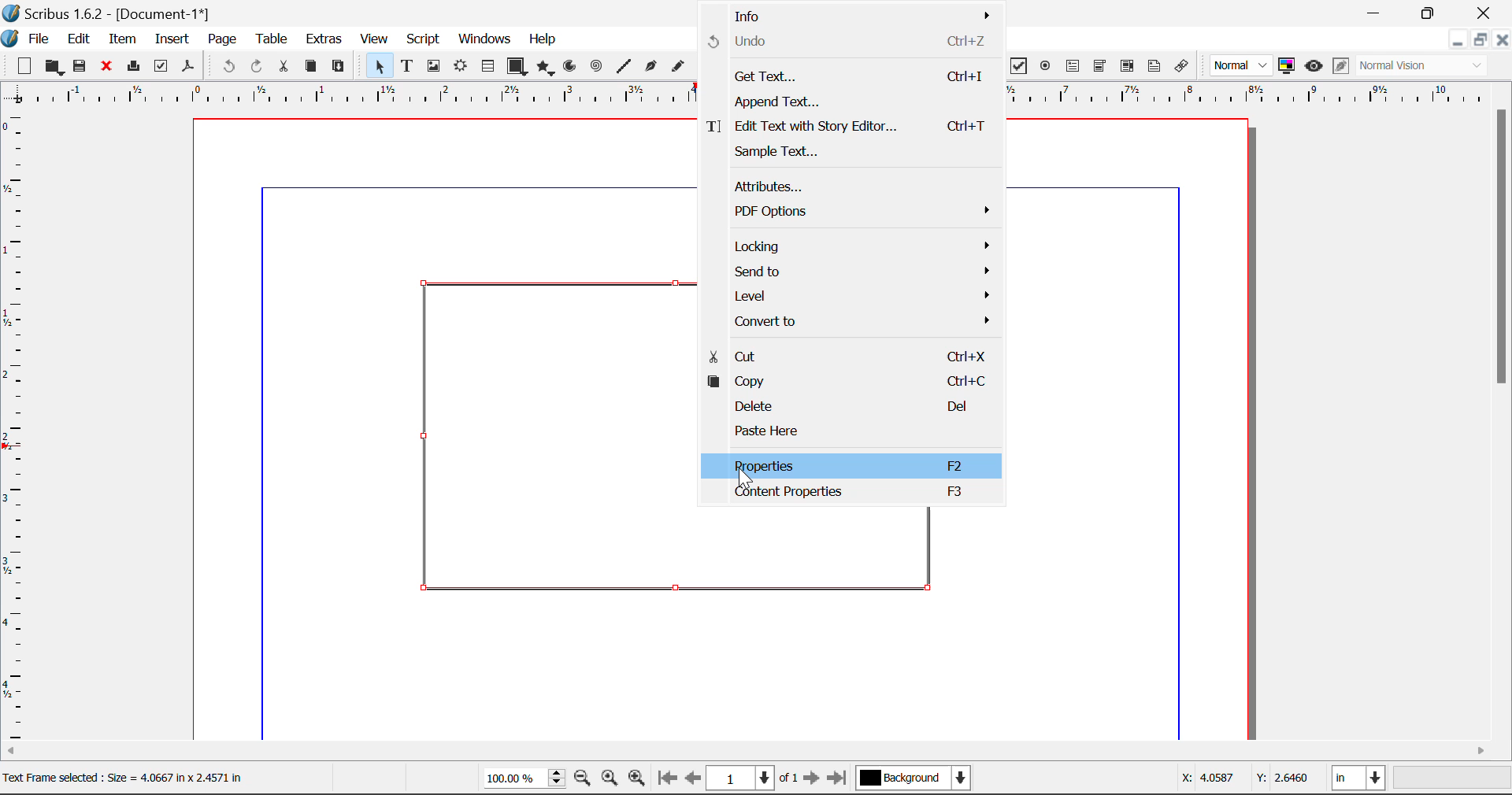 This screenshot has width=1512, height=795. I want to click on PDF Options, so click(854, 211).